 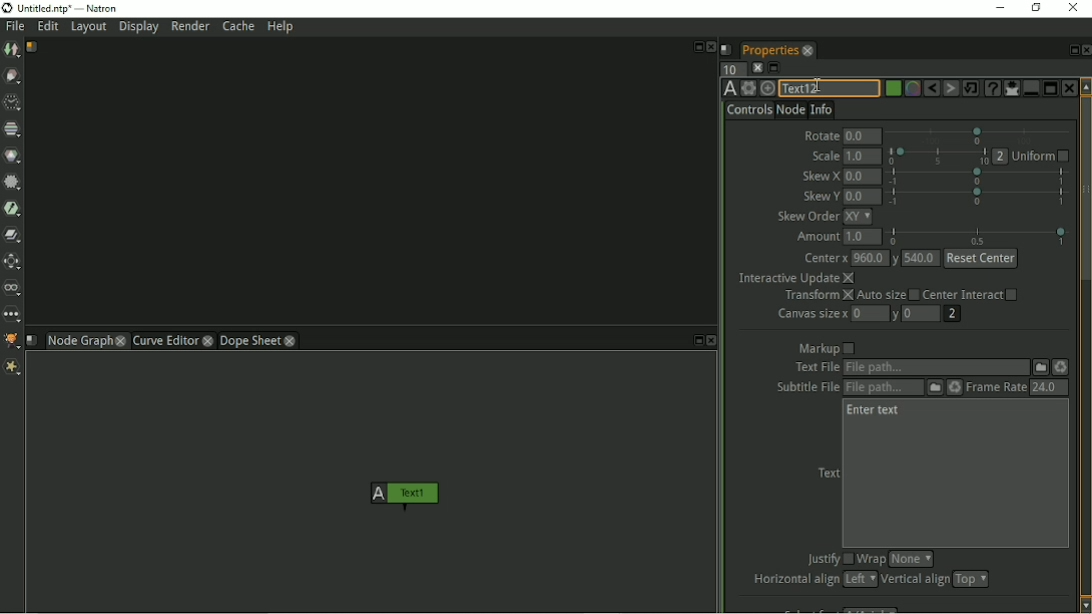 I want to click on Script name, so click(x=32, y=340).